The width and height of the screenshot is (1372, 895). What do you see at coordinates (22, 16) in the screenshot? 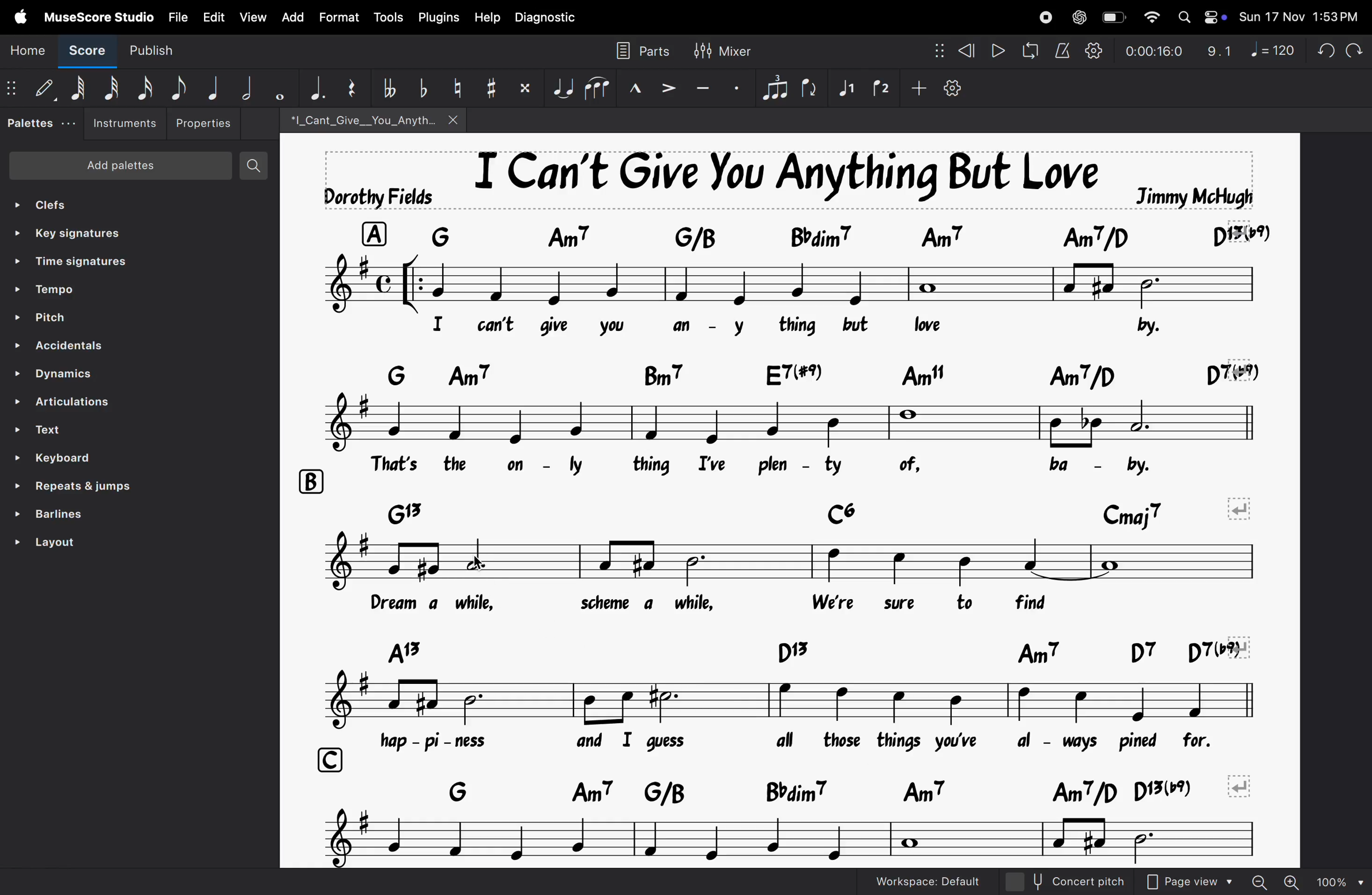
I see `Apple menu` at bounding box center [22, 16].